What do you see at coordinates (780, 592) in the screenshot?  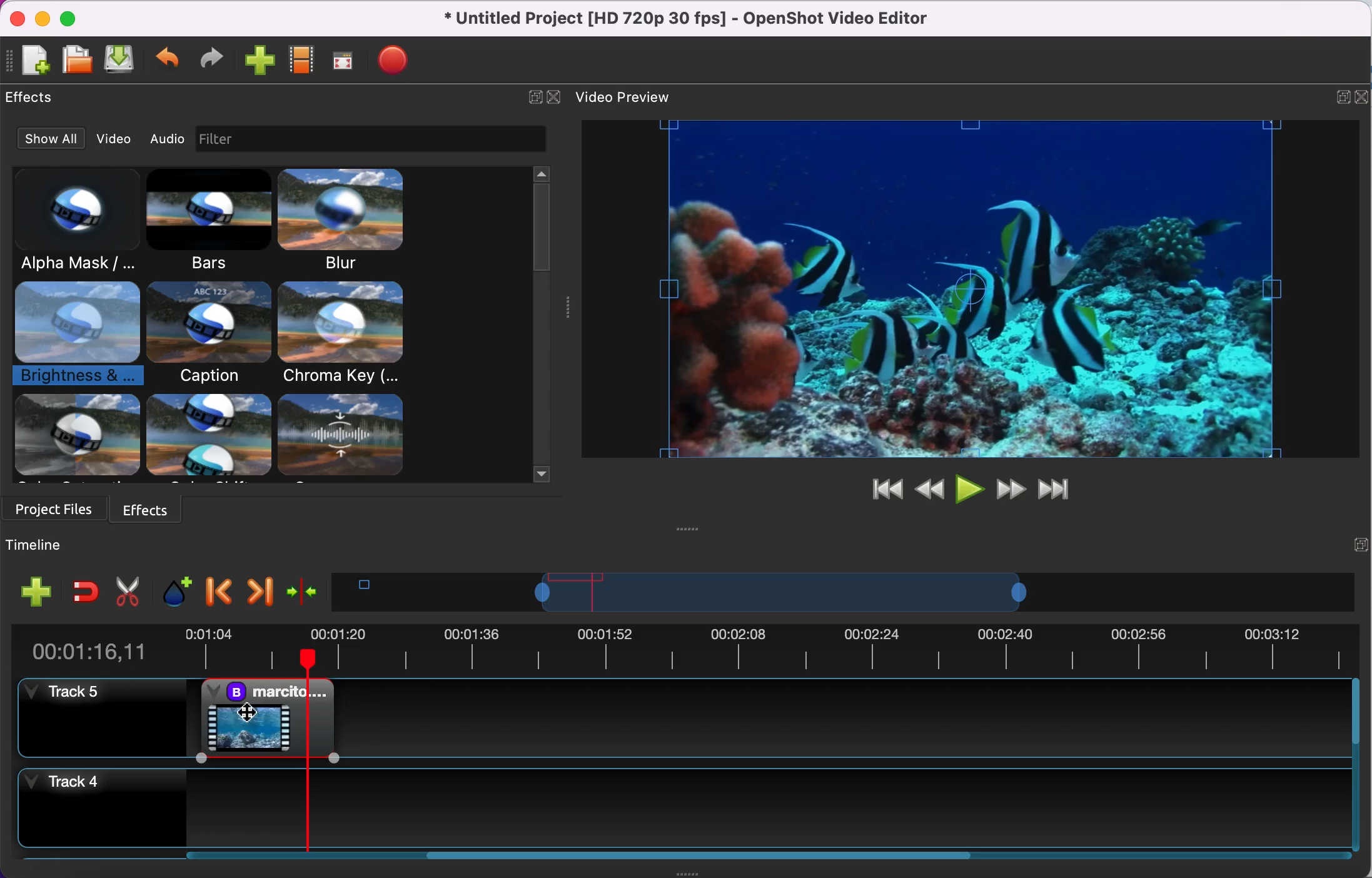 I see `timeline` at bounding box center [780, 592].